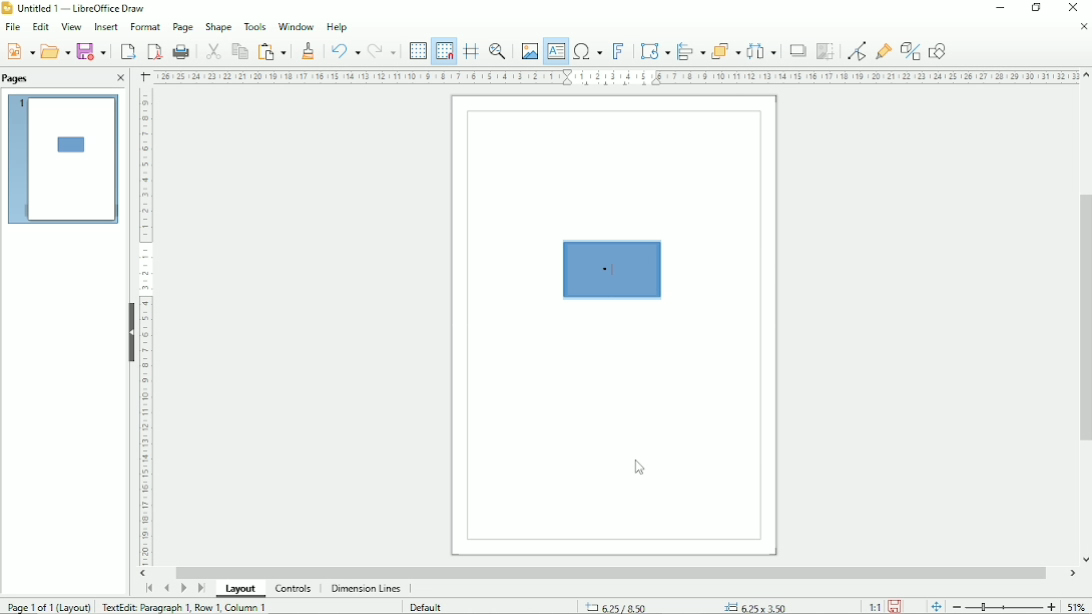 The image size is (1092, 614). Describe the element at coordinates (271, 50) in the screenshot. I see `Paste` at that location.